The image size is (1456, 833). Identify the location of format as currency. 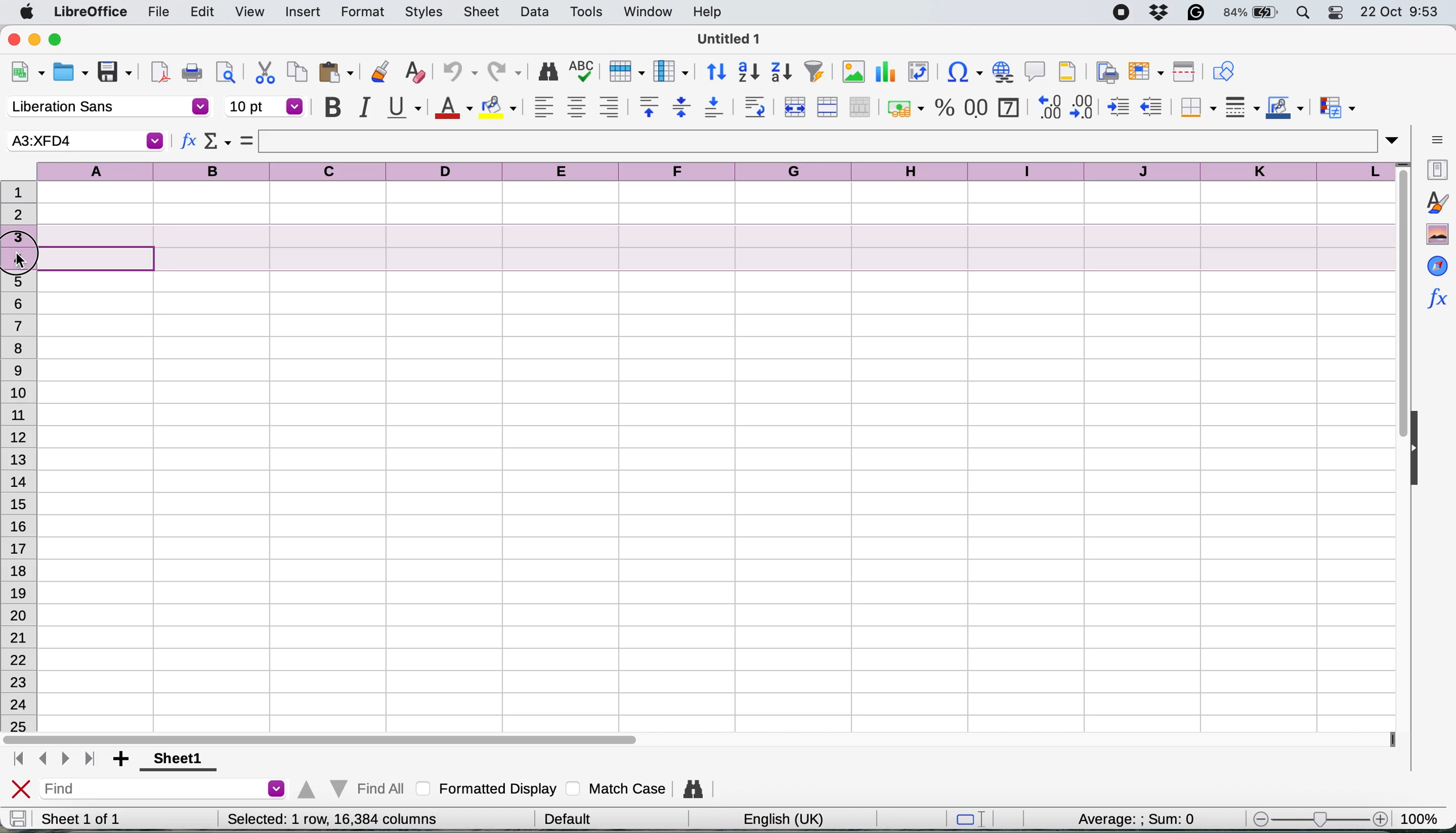
(904, 108).